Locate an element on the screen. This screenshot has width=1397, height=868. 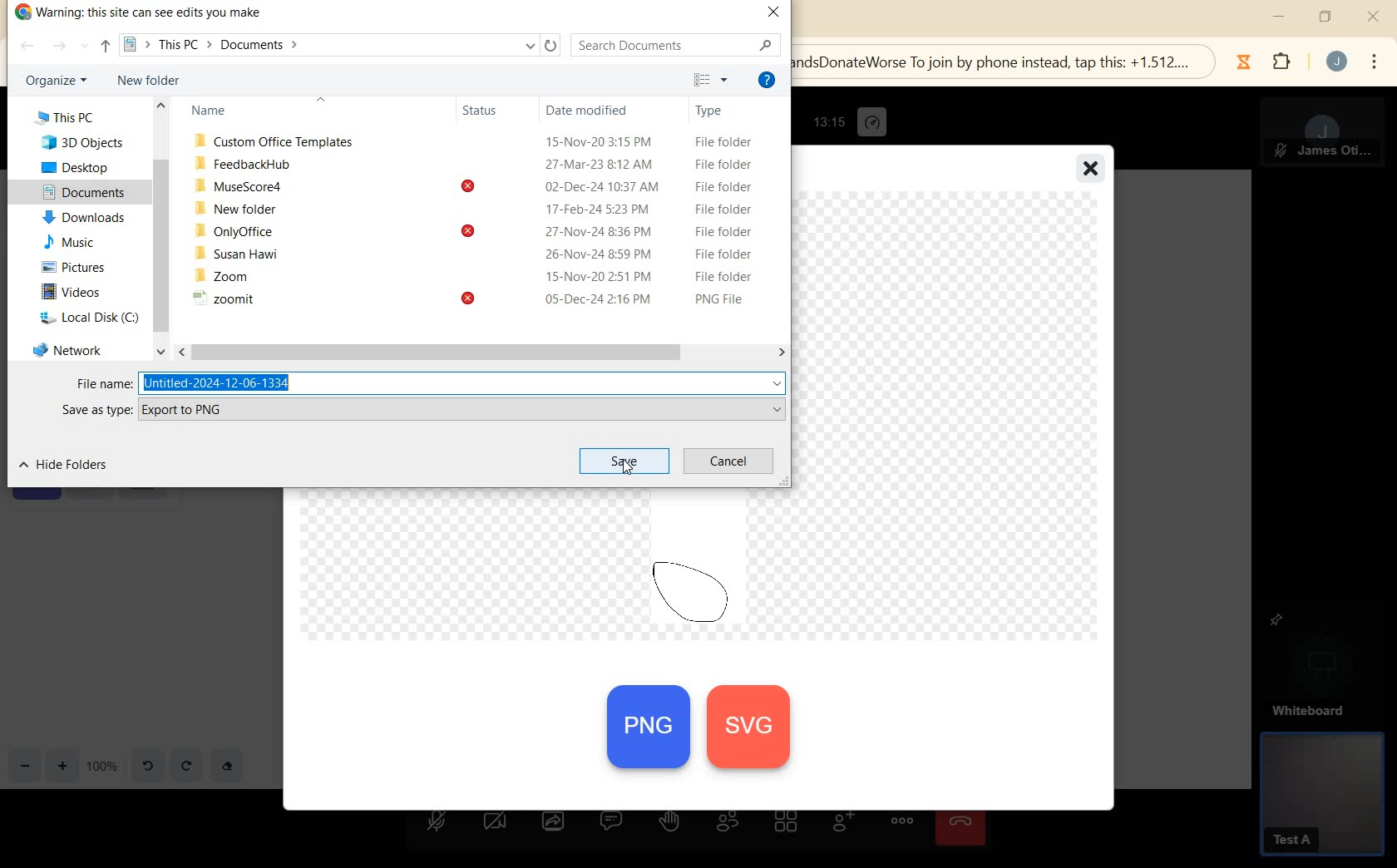
SCROLLBAR is located at coordinates (481, 353).